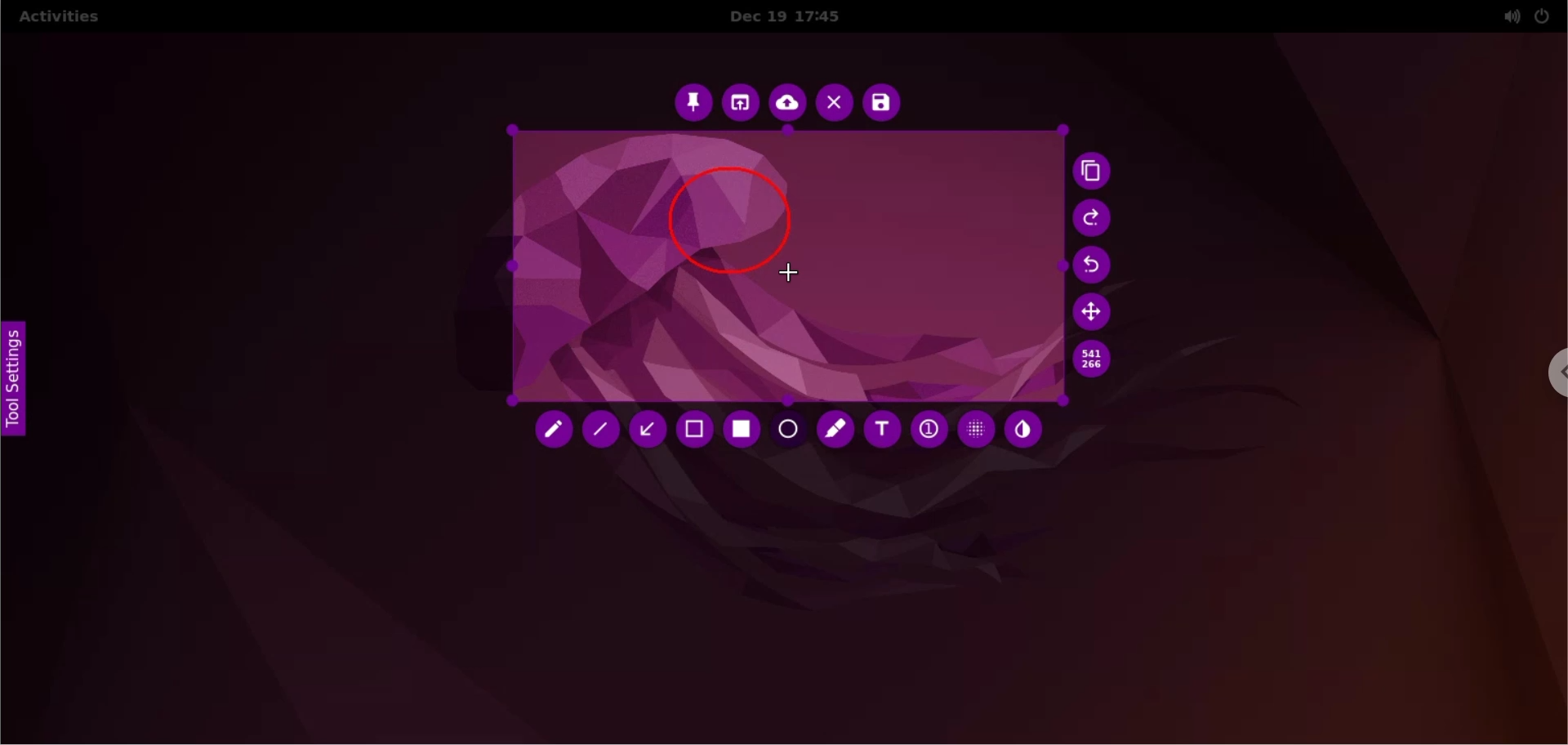 This screenshot has width=1568, height=745. What do you see at coordinates (790, 431) in the screenshot?
I see `circle tool` at bounding box center [790, 431].